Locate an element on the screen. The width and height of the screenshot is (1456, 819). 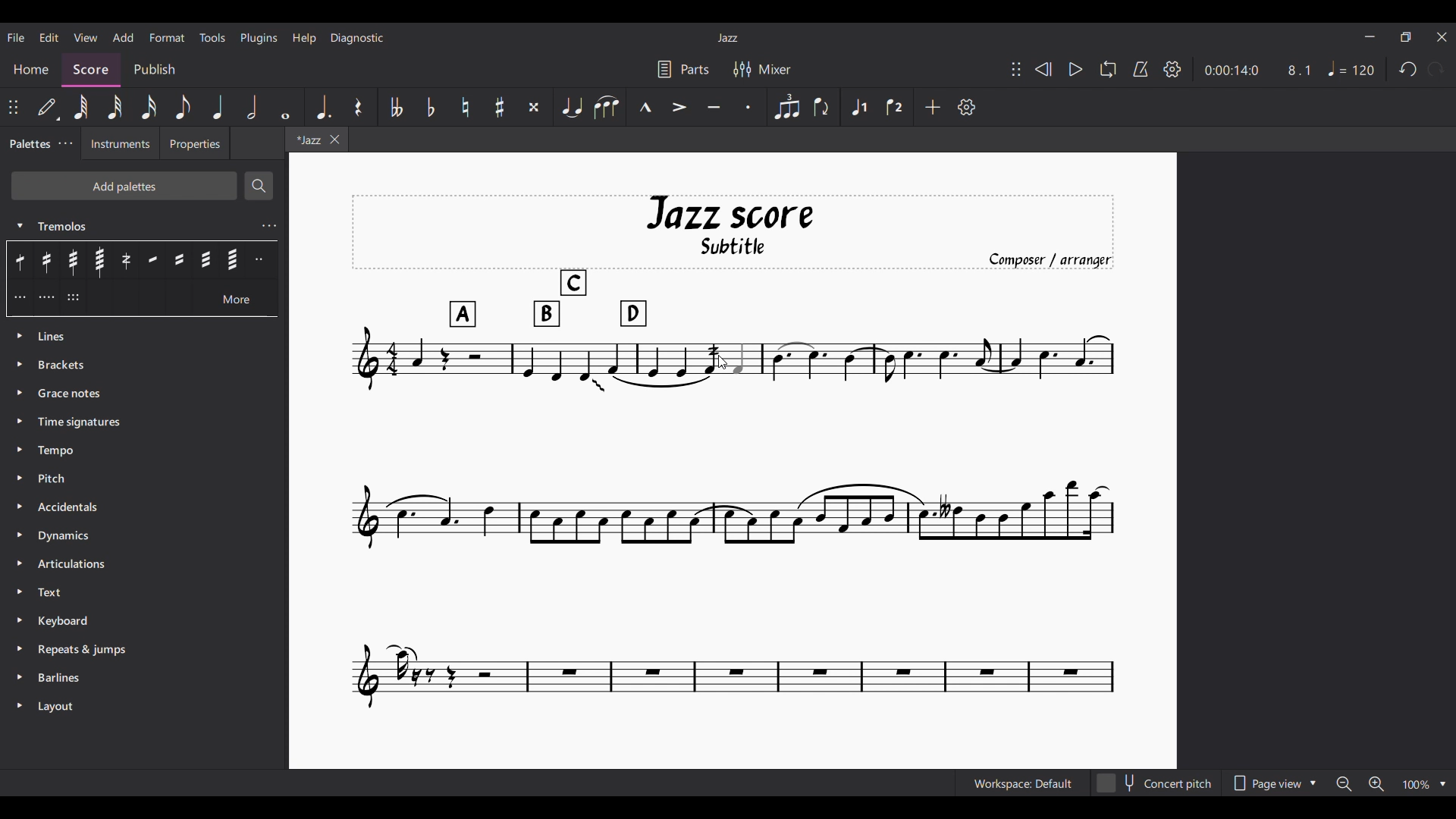
16th between notes is located at coordinates (179, 259).